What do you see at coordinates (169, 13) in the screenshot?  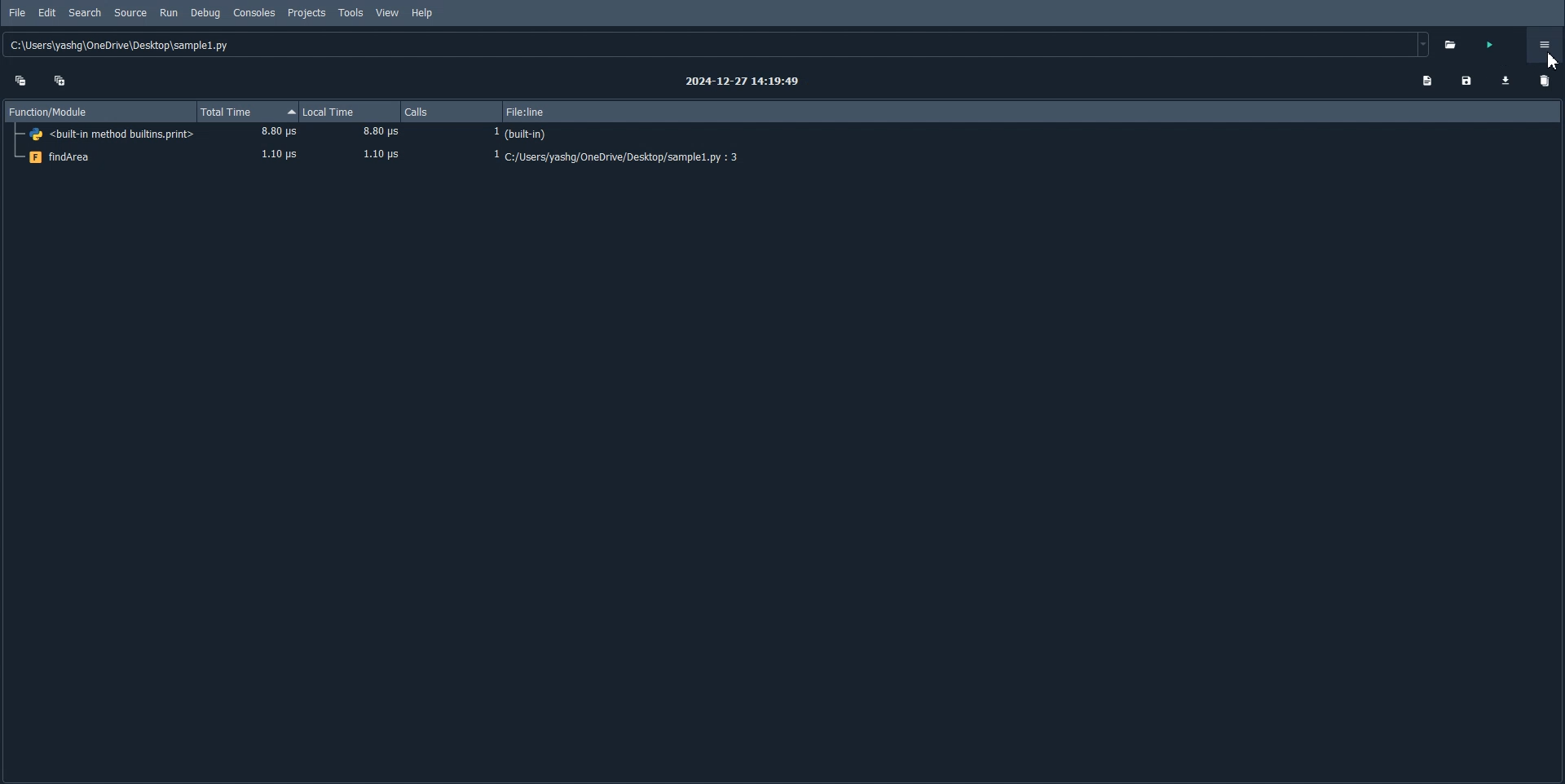 I see `Run` at bounding box center [169, 13].